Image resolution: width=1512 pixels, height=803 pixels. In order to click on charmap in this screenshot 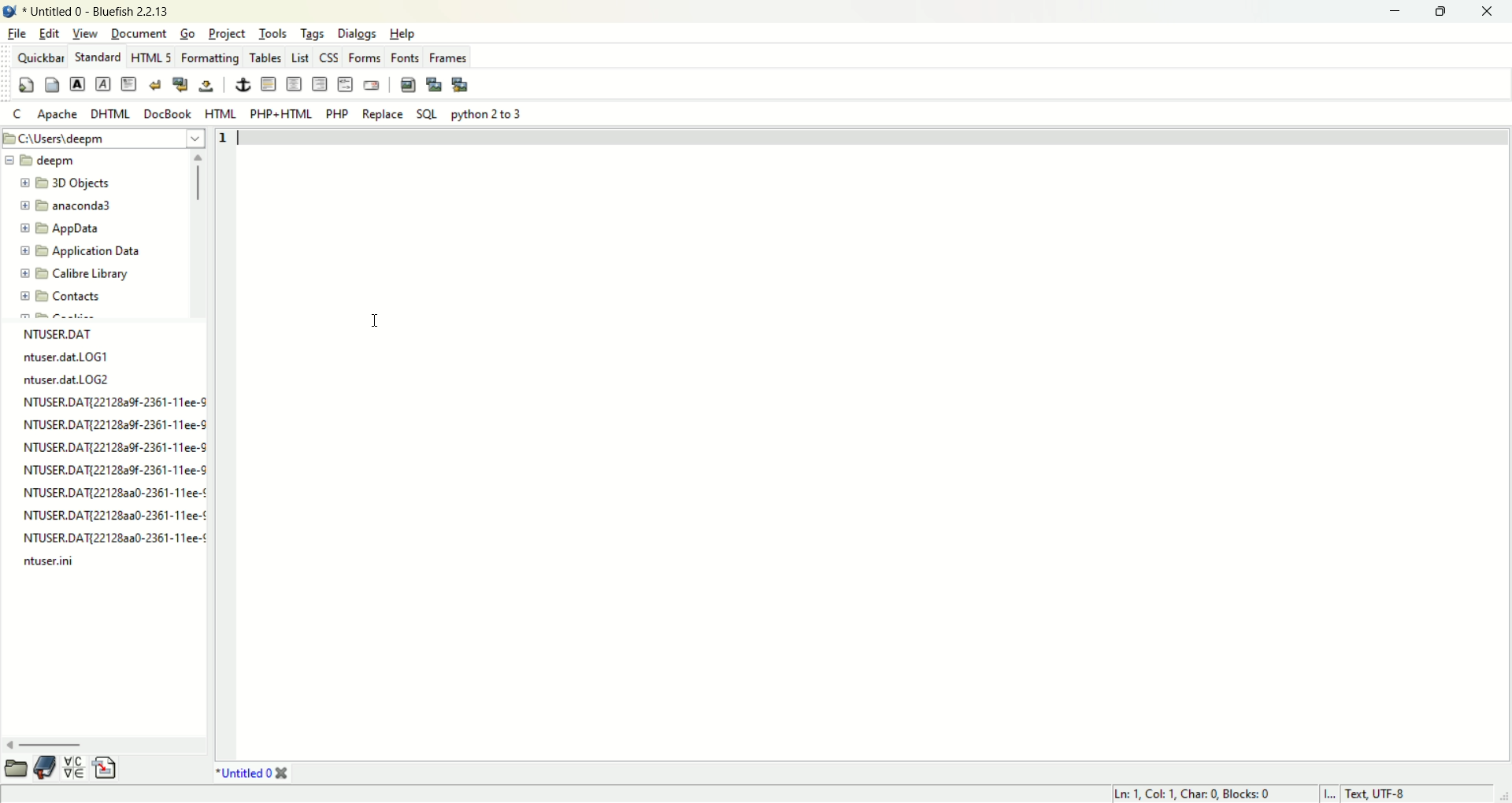, I will do `click(76, 768)`.